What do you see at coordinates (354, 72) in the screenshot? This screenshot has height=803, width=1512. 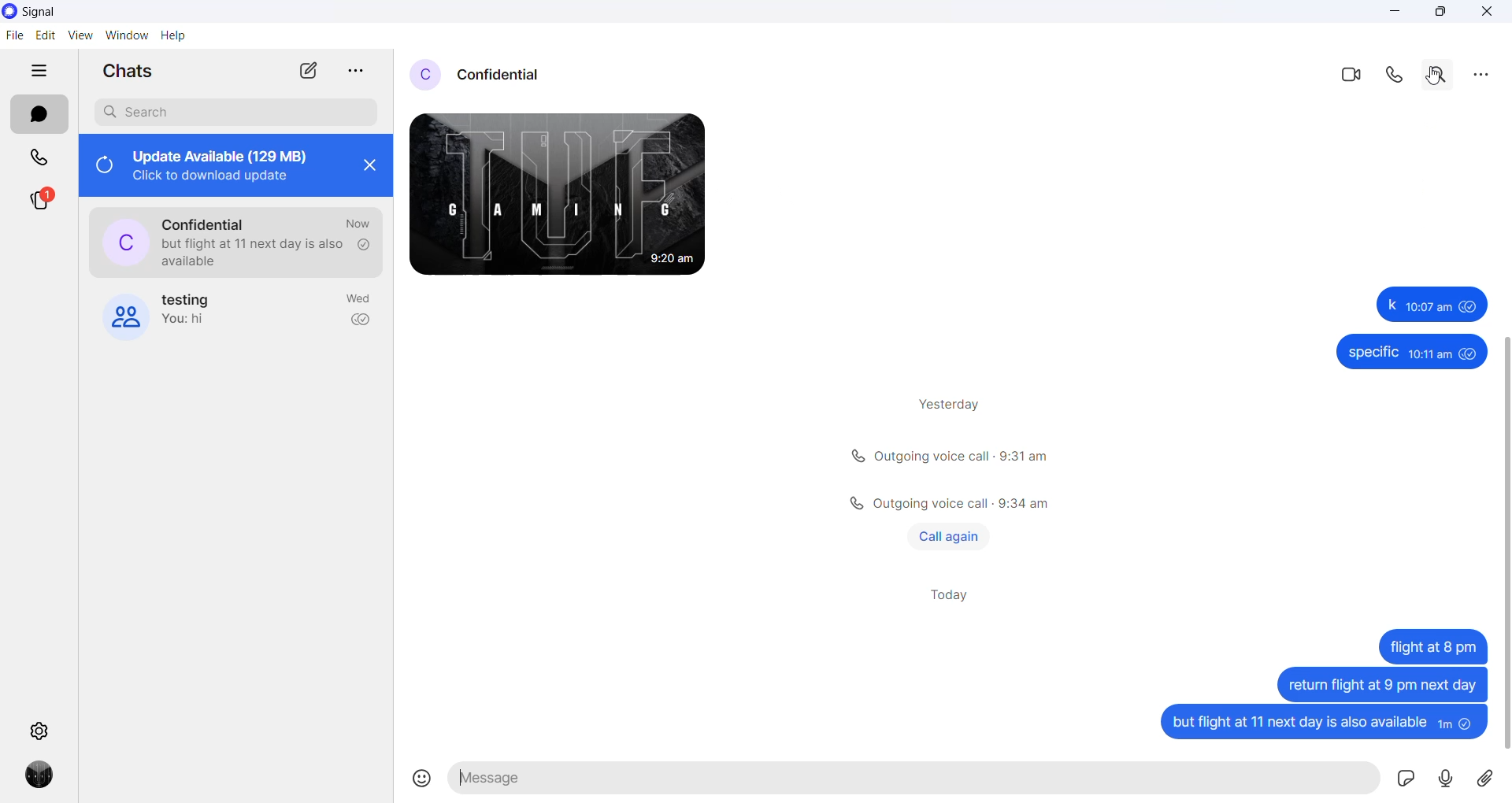 I see `close tab` at bounding box center [354, 72].